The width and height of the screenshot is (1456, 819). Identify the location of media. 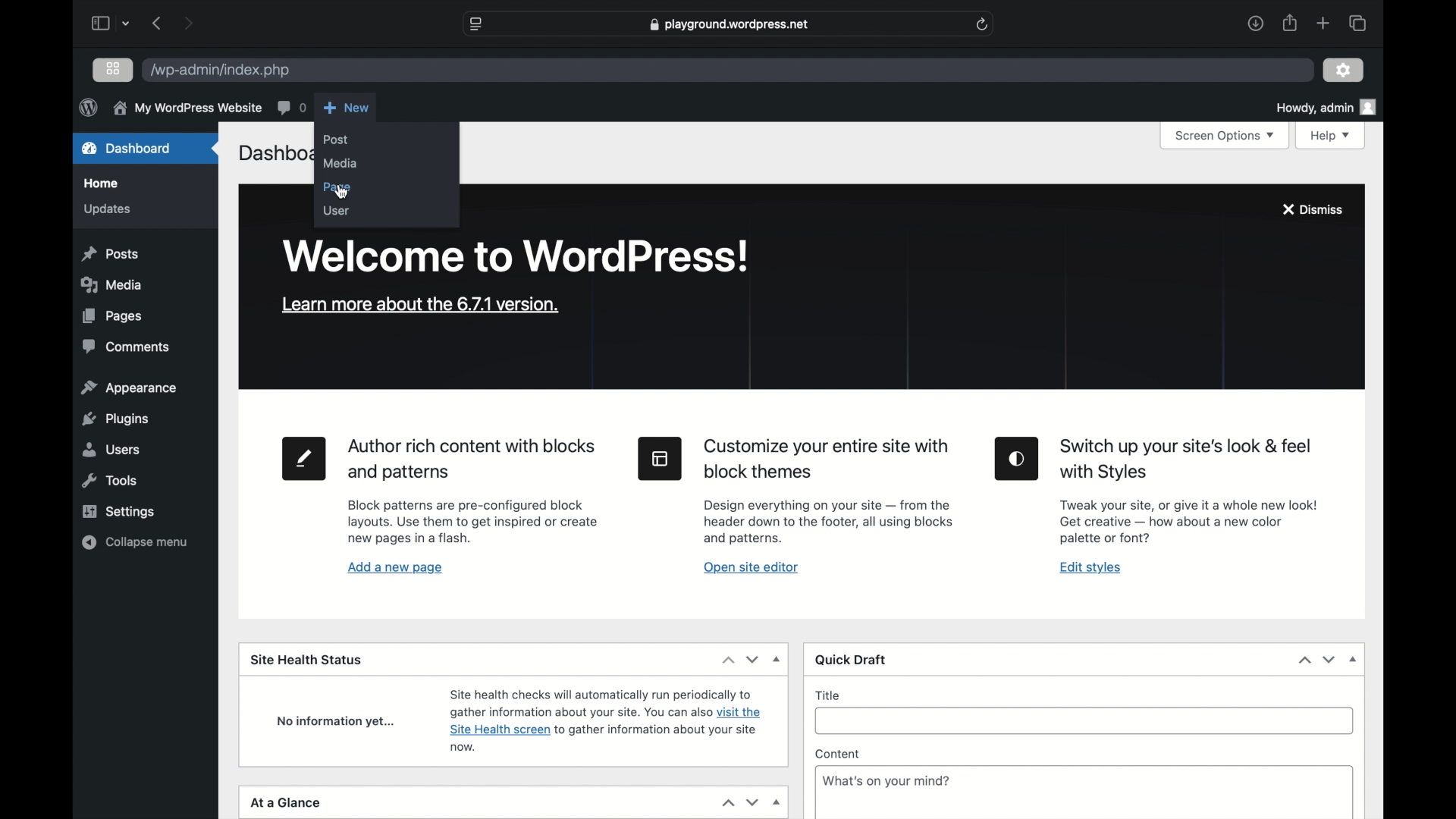
(340, 162).